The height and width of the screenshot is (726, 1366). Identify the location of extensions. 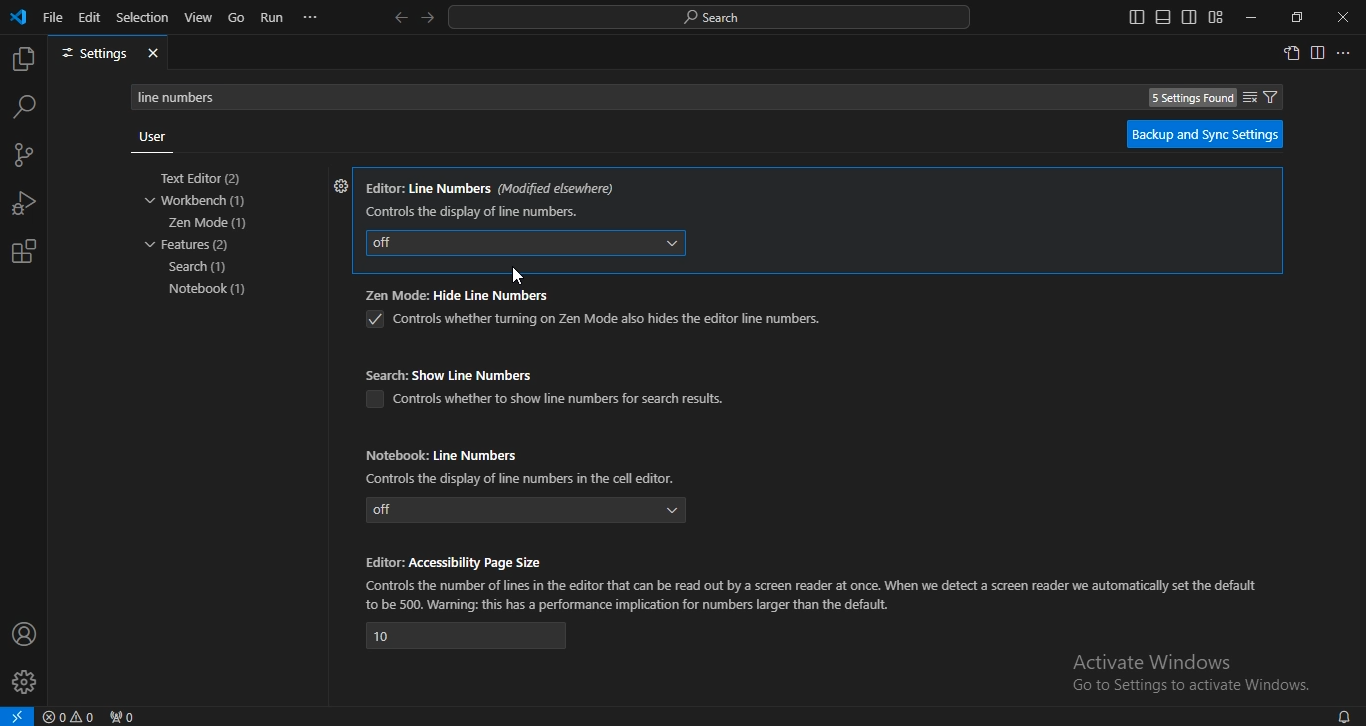
(23, 252).